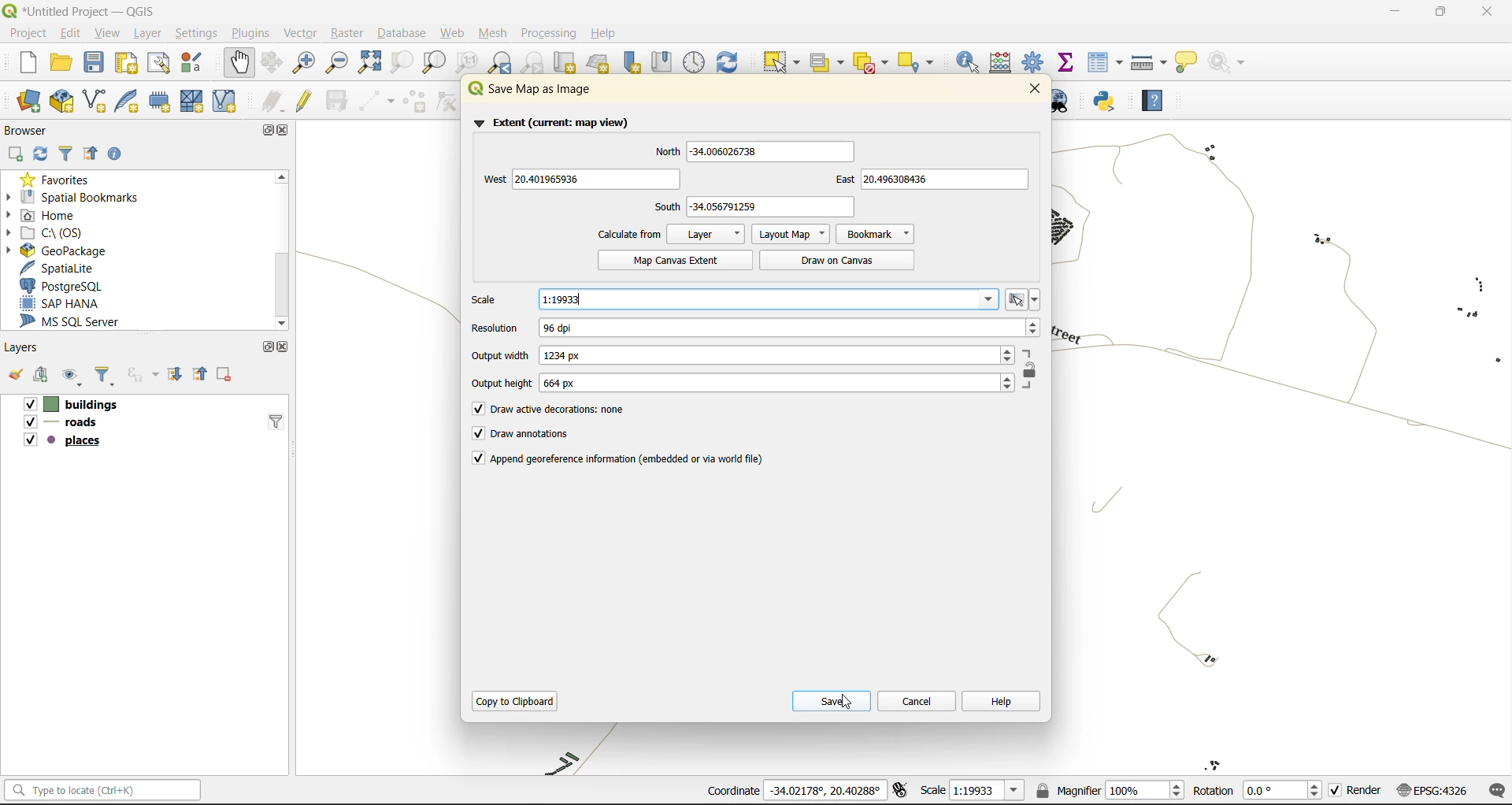 The height and width of the screenshot is (805, 1512). I want to click on zoom native, so click(467, 63).